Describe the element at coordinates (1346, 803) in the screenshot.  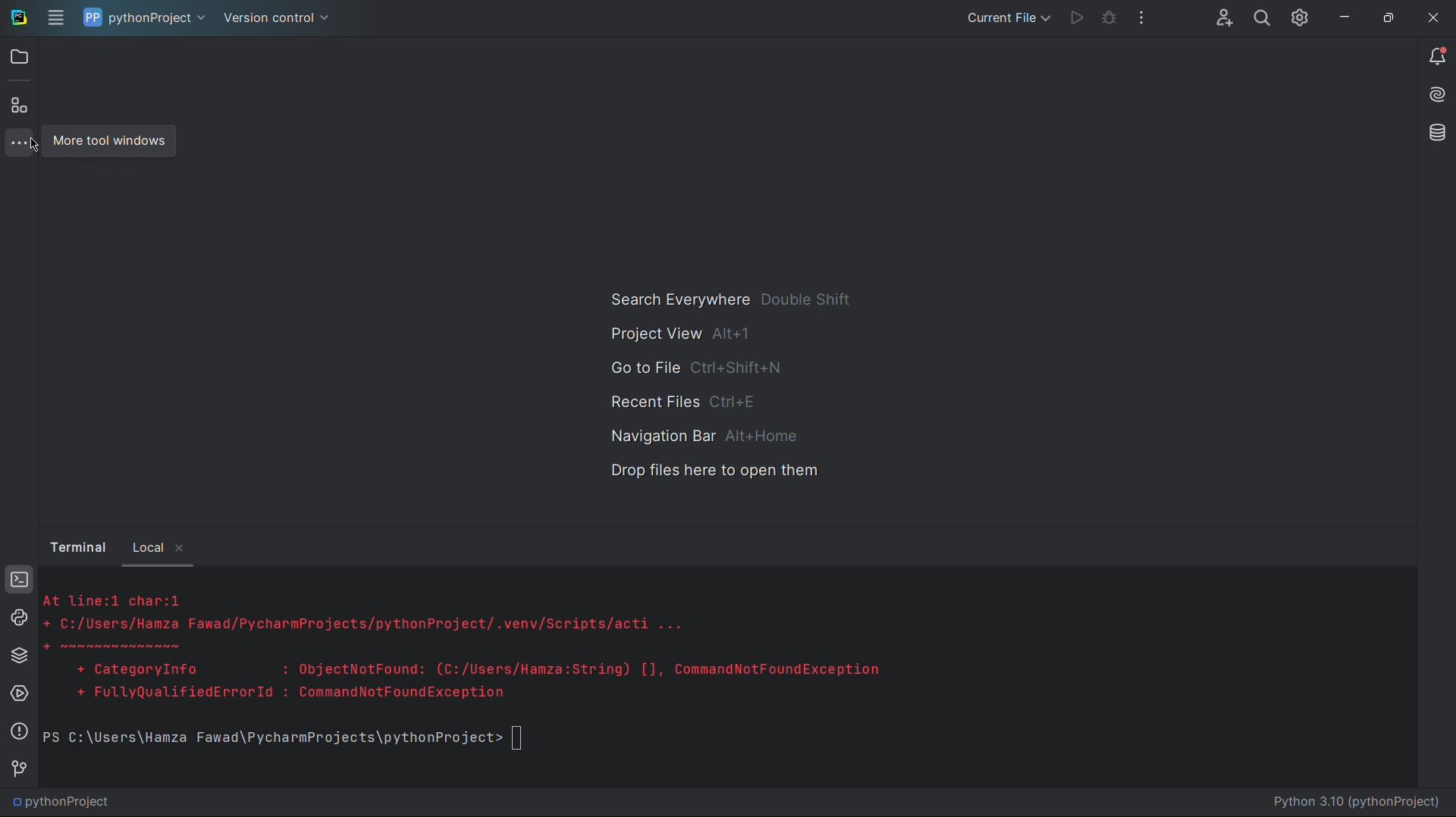
I see `Python 3.10 (pythonProject)` at that location.